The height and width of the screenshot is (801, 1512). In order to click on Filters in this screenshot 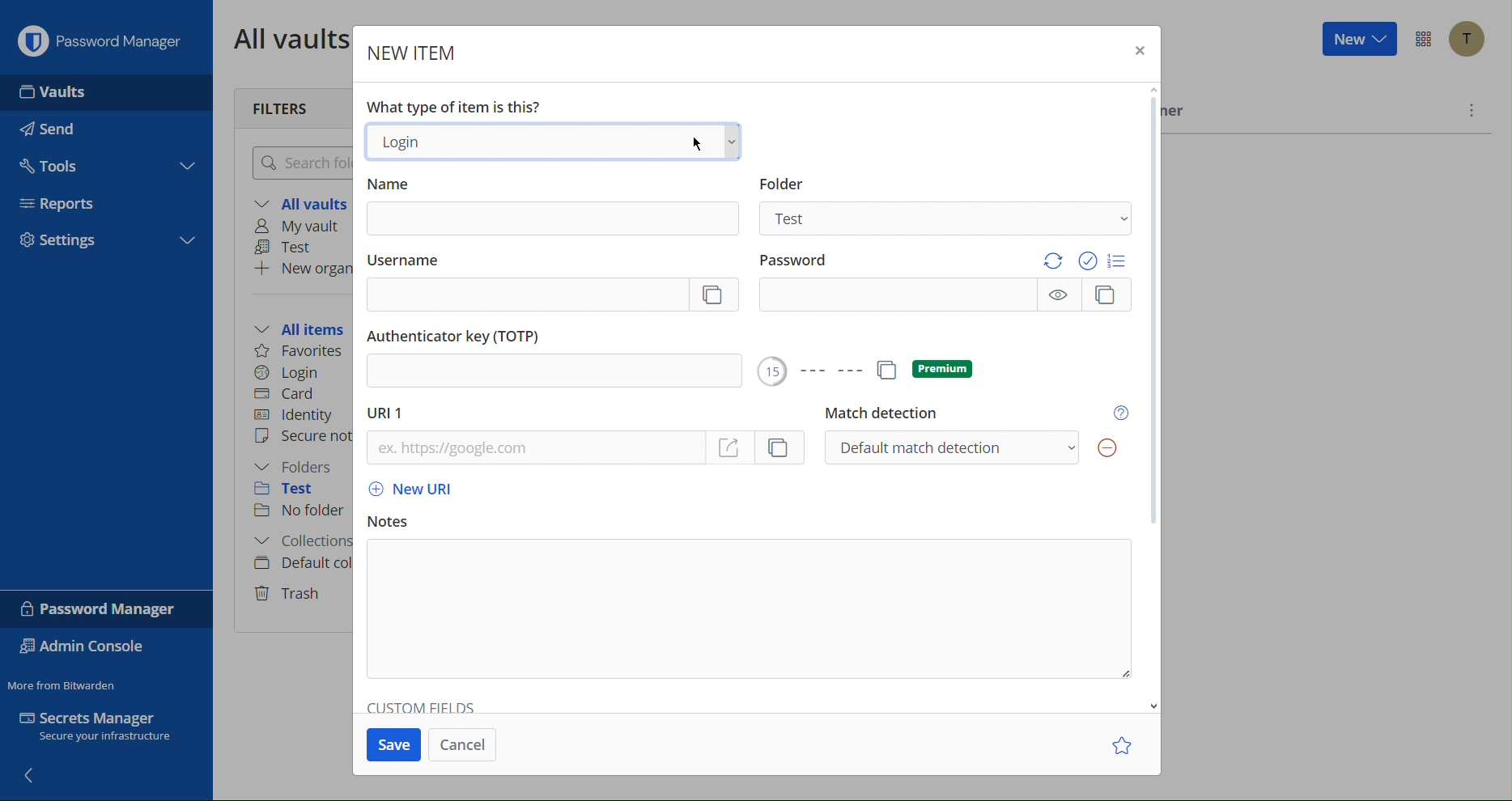, I will do `click(281, 110)`.